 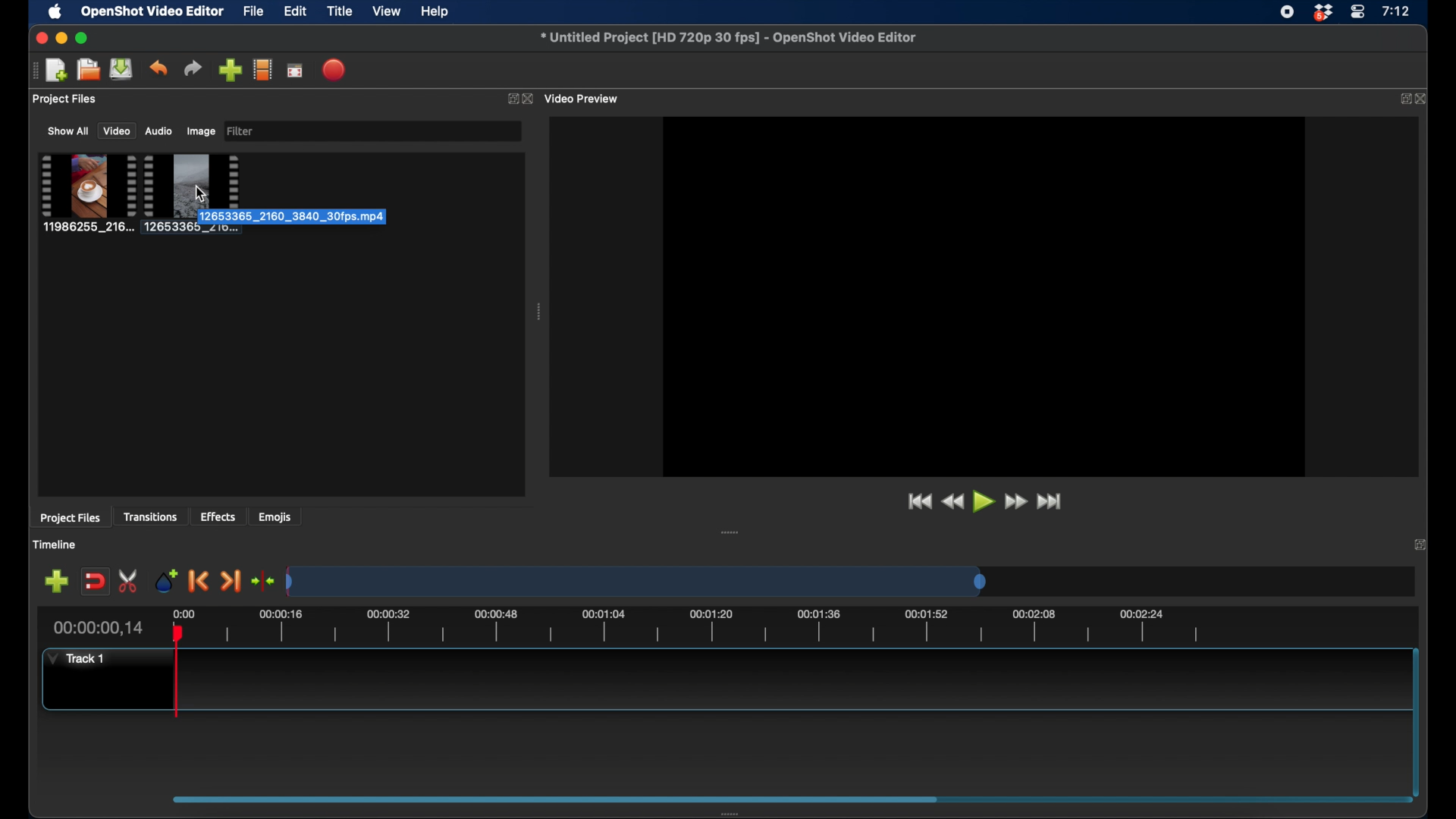 What do you see at coordinates (1287, 12) in the screenshot?
I see `screen recorder icon` at bounding box center [1287, 12].